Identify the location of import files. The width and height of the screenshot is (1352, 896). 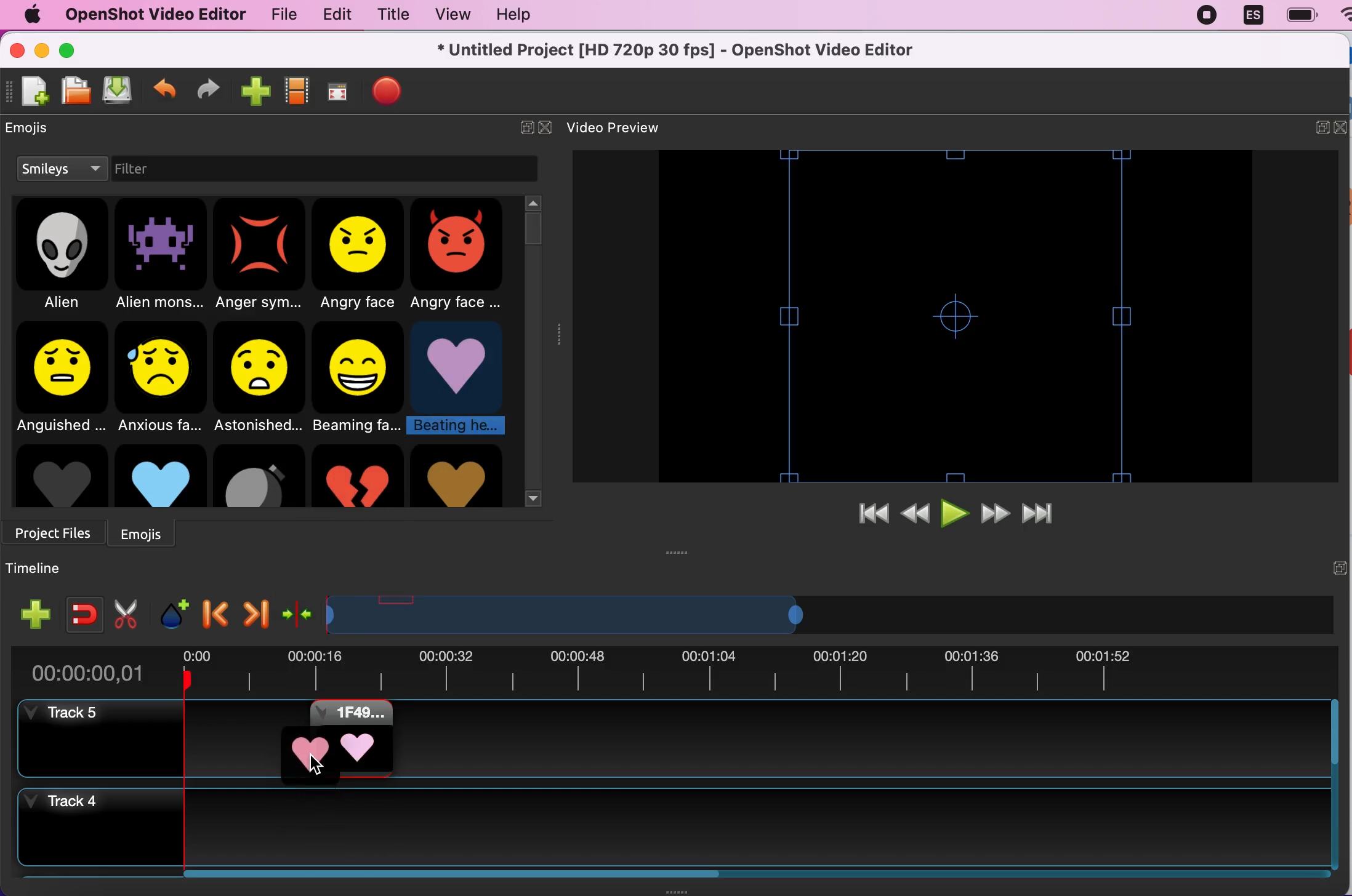
(254, 89).